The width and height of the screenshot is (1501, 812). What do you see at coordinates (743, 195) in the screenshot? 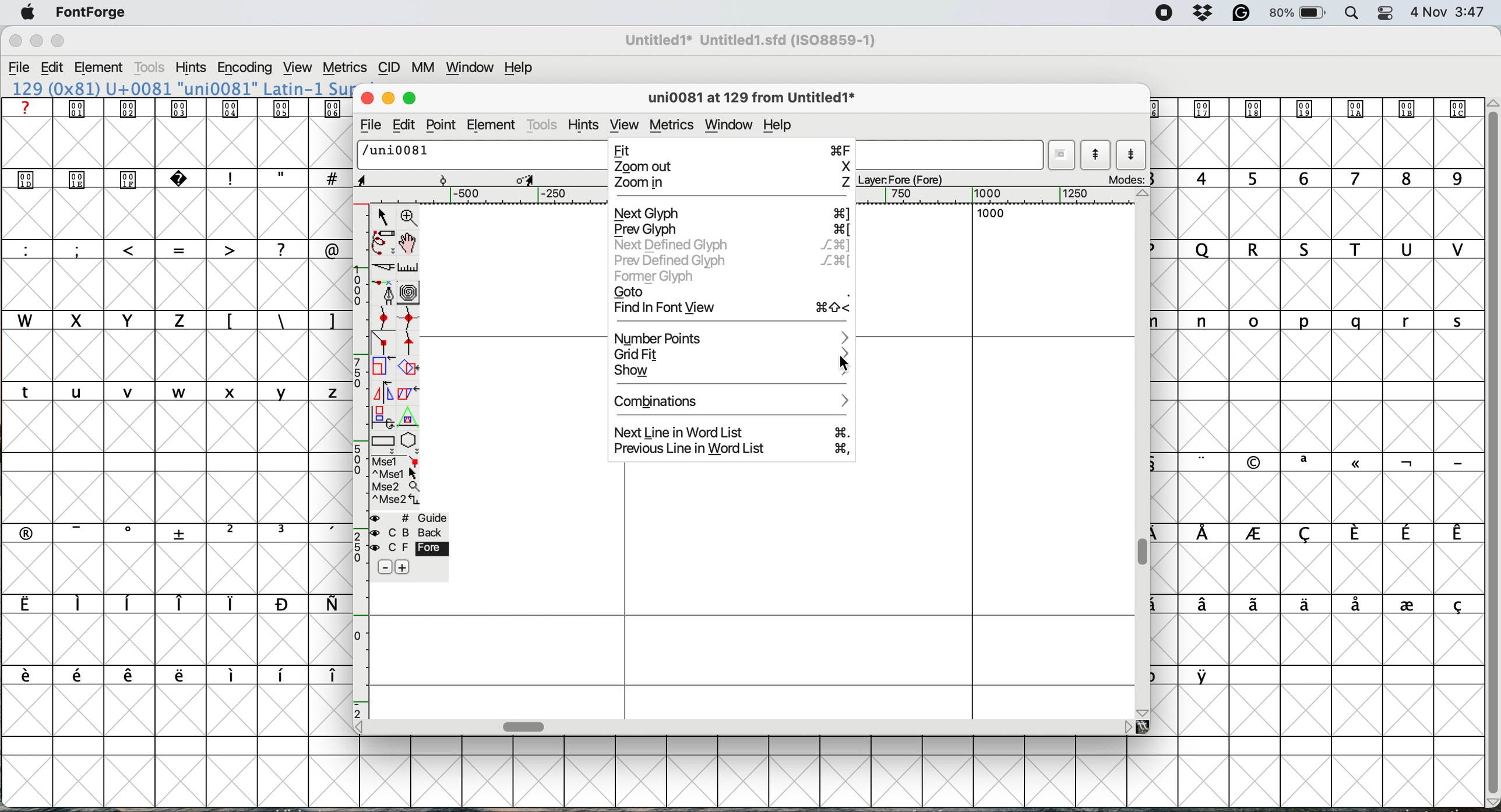
I see `Horizontal Scale` at bounding box center [743, 195].